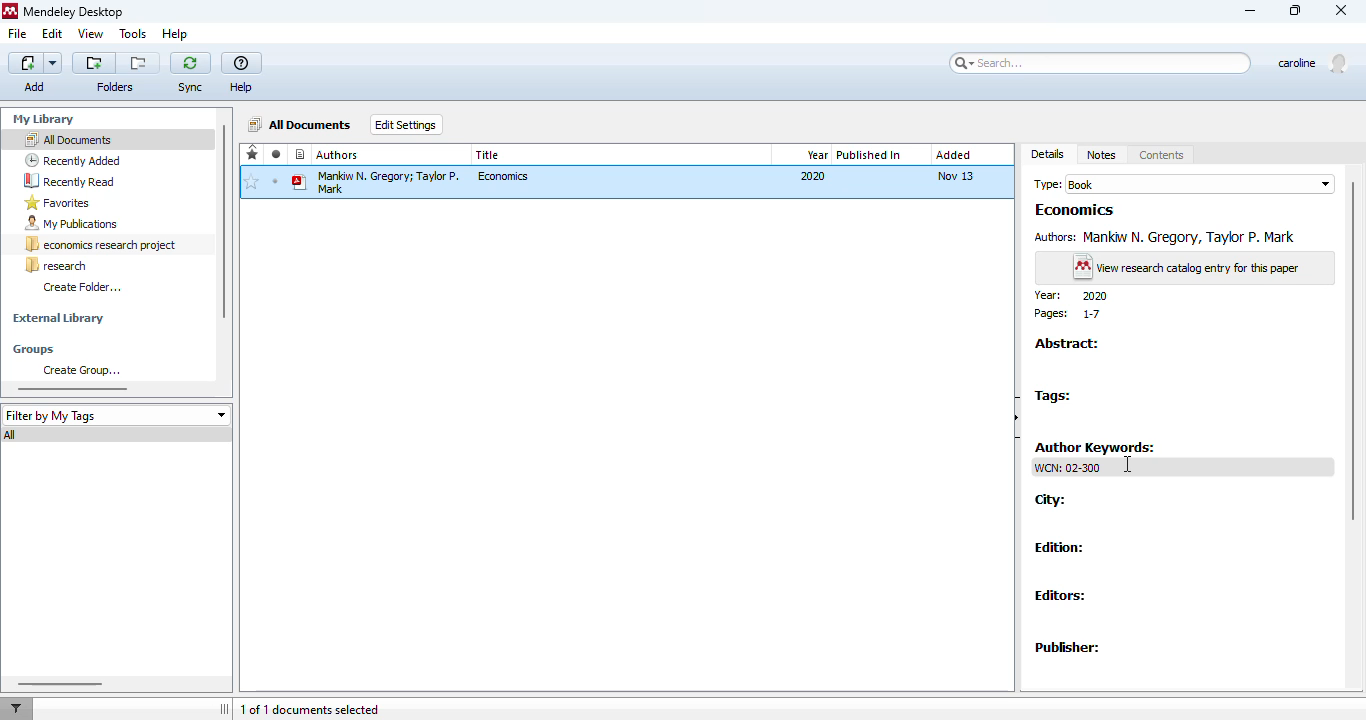 Image resolution: width=1366 pixels, height=720 pixels. I want to click on create a new folder, so click(94, 63).